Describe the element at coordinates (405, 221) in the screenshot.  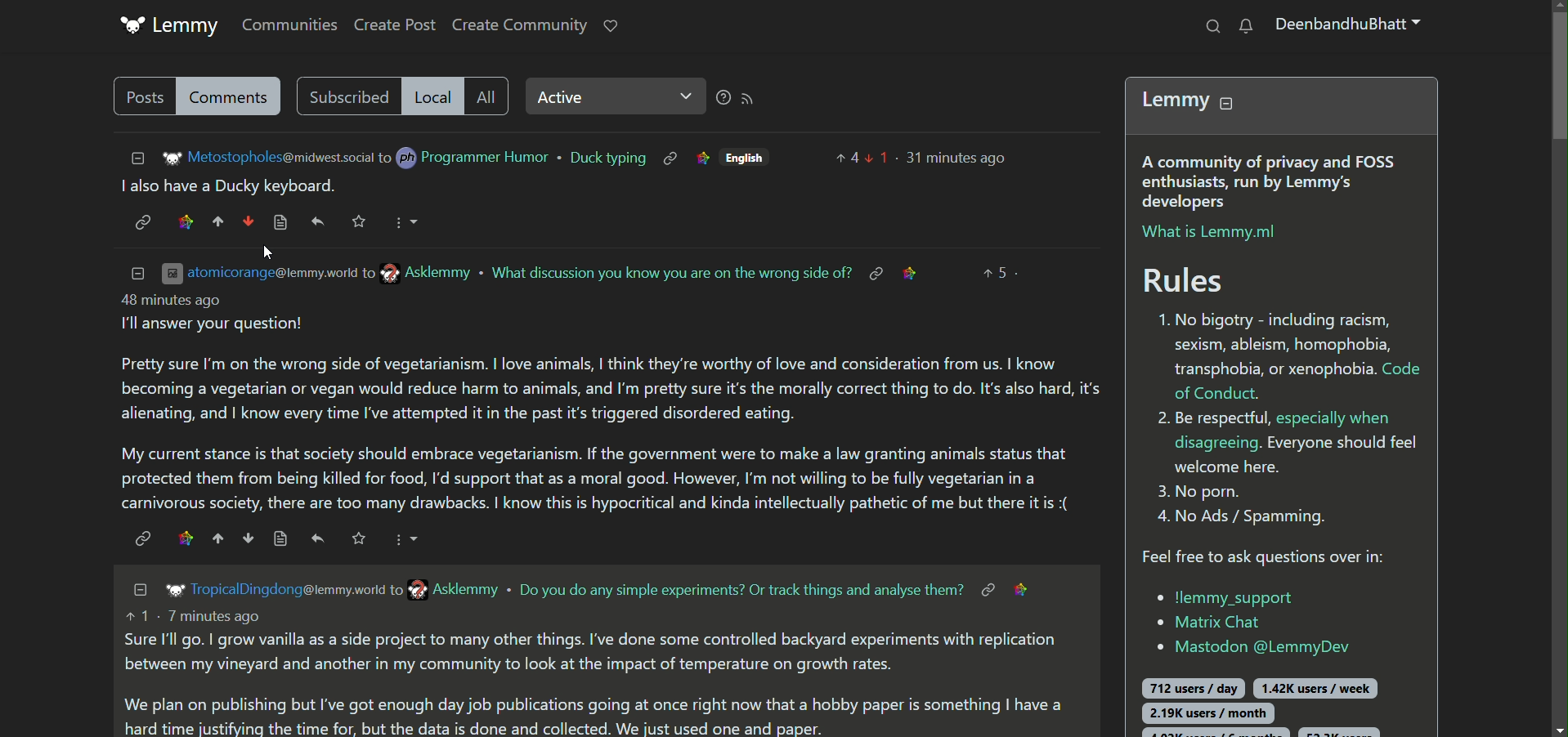
I see `dropdown` at that location.